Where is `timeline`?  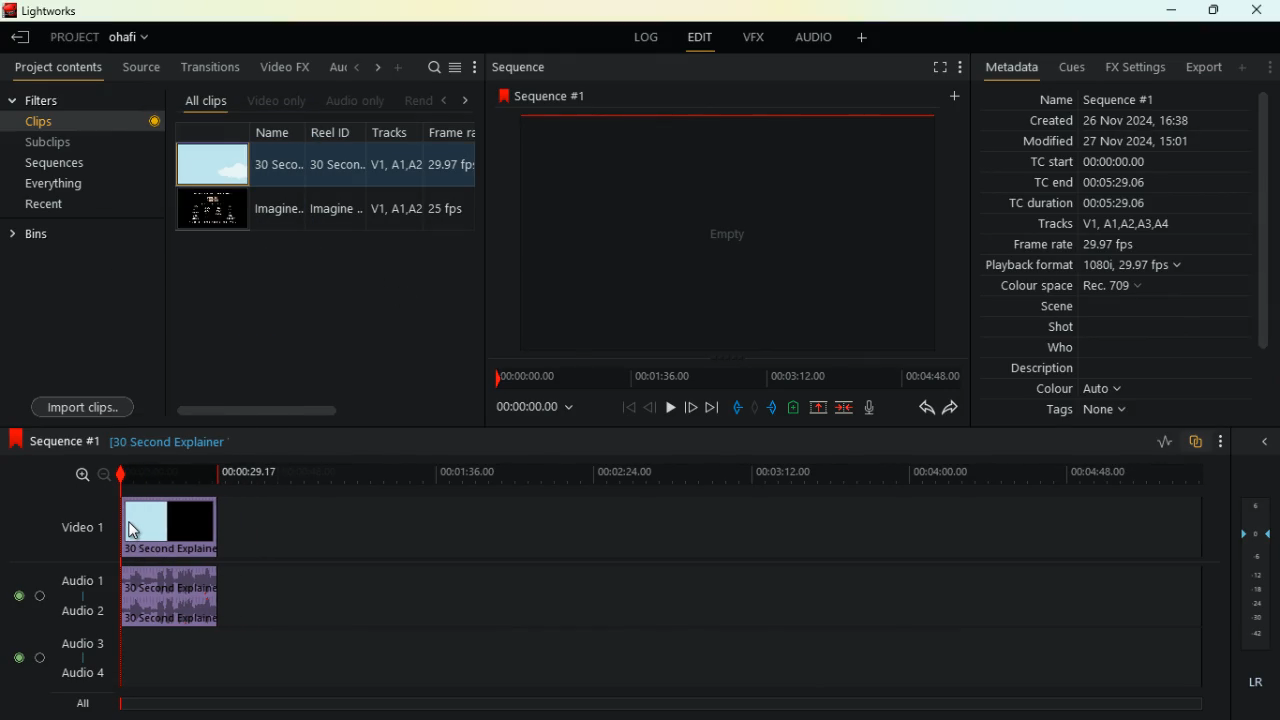
timeline is located at coordinates (722, 375).